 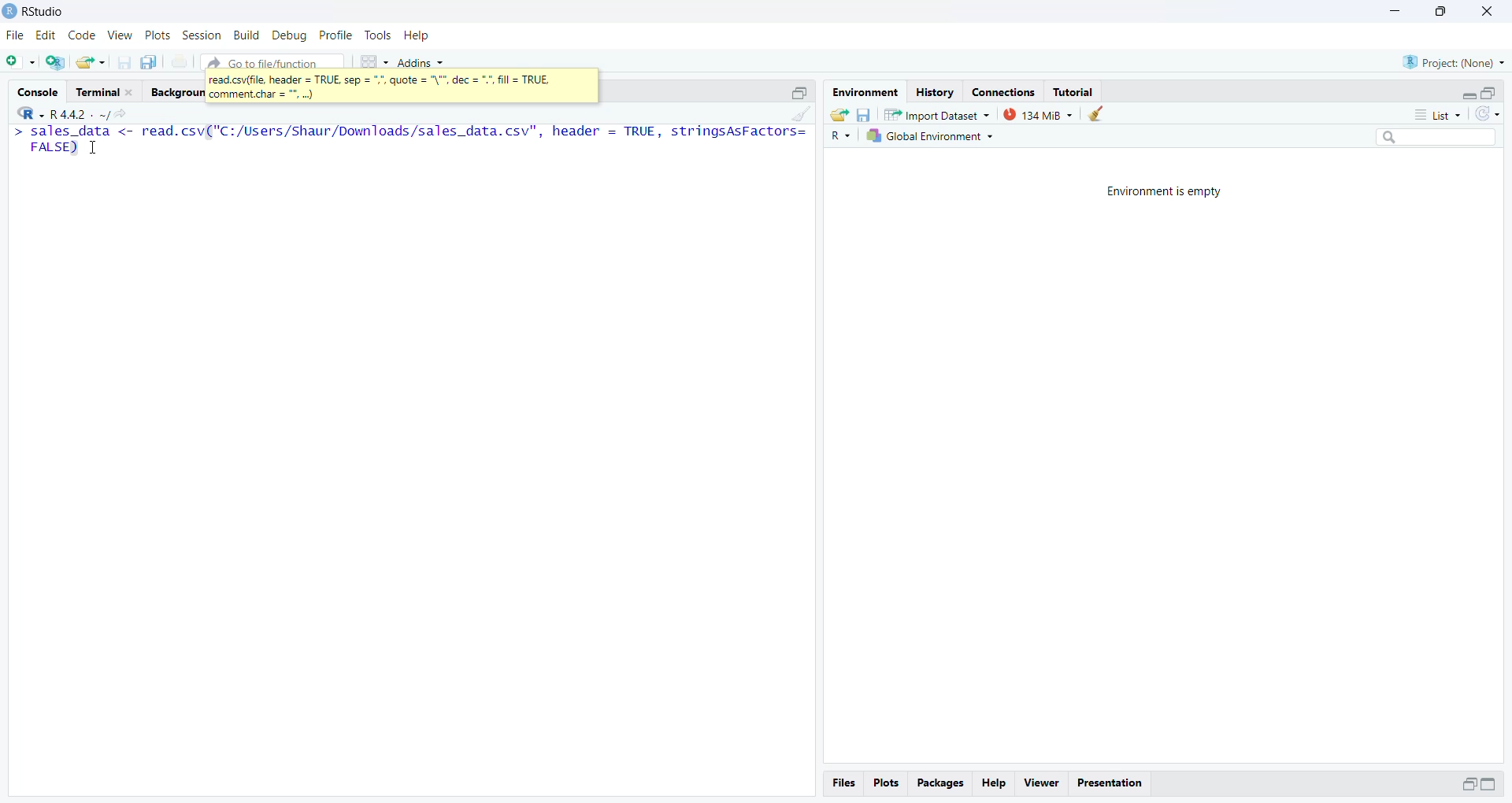 I want to click on Maximize, so click(x=1442, y=12).